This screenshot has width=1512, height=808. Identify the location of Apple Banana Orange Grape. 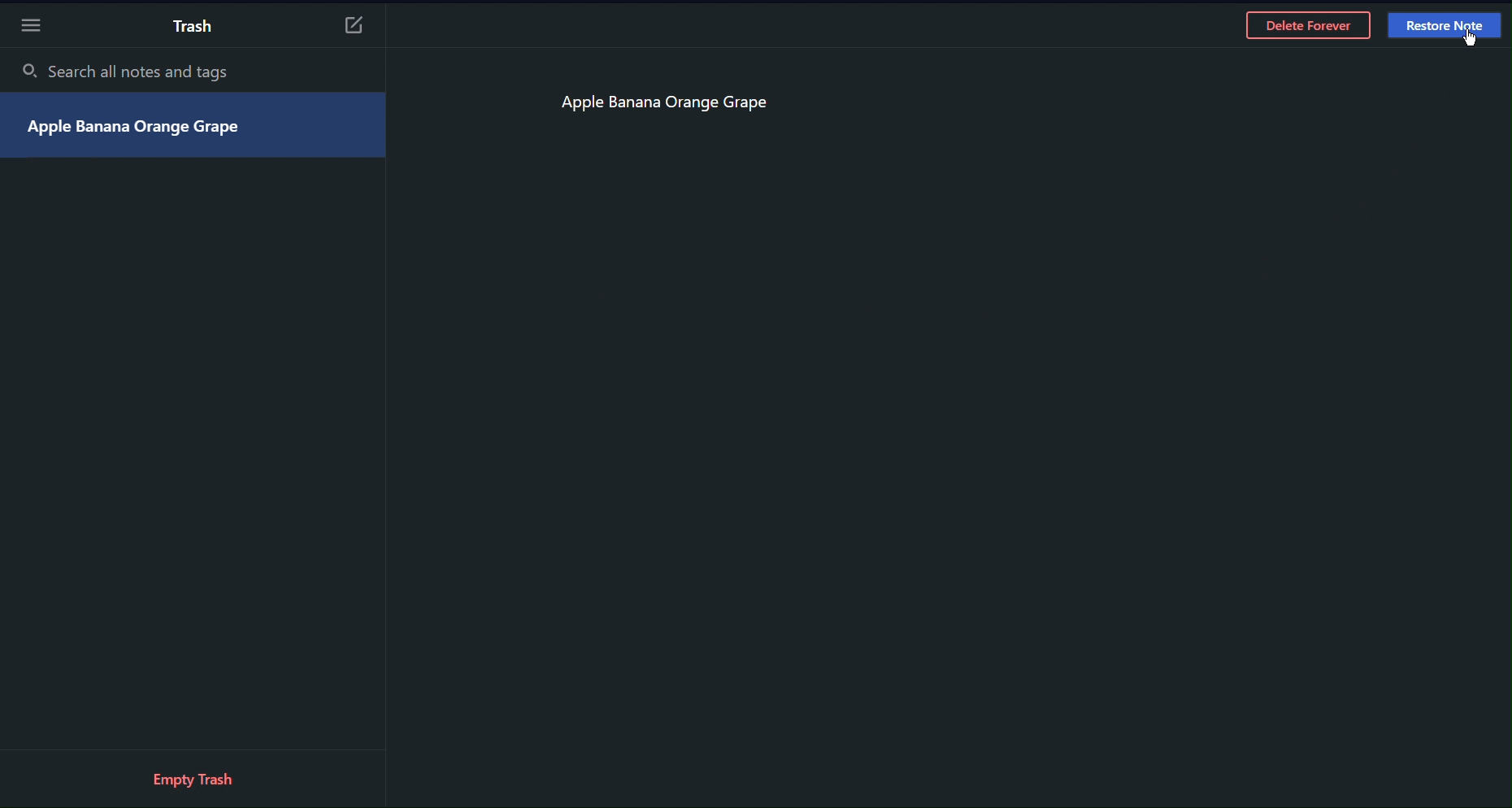
(150, 129).